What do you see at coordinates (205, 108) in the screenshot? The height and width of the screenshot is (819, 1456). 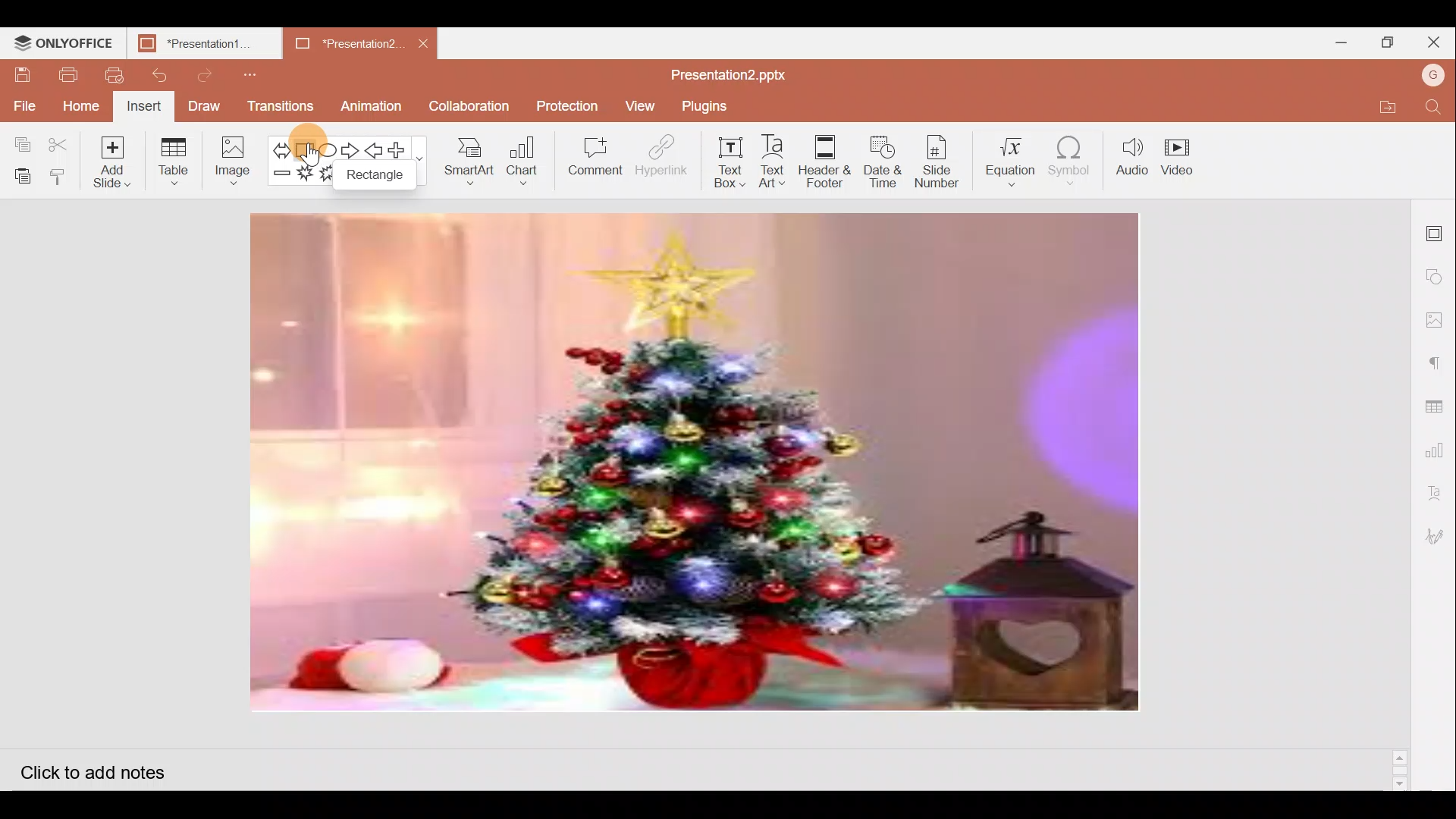 I see `Draw` at bounding box center [205, 108].